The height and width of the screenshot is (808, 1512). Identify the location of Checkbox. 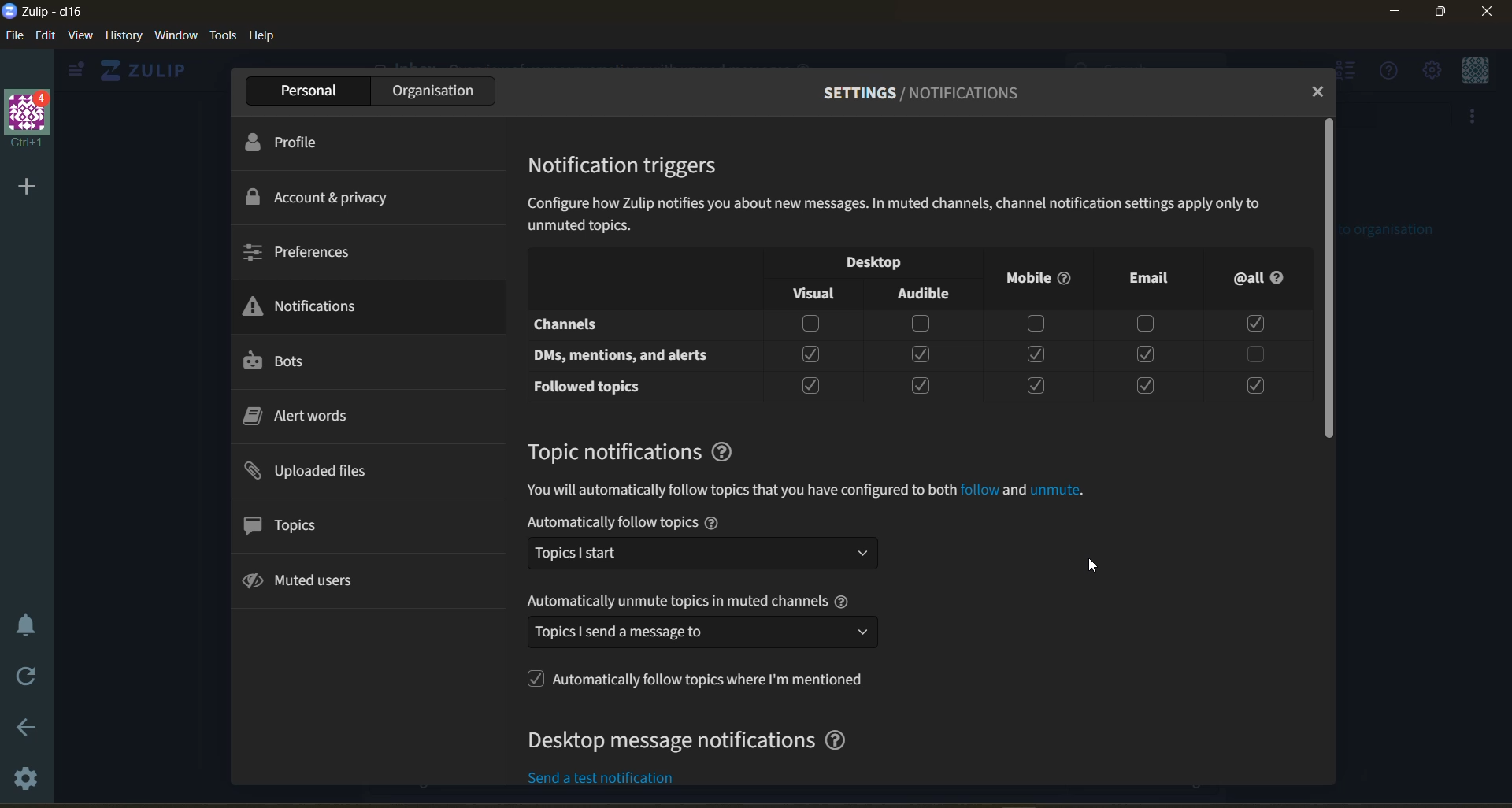
(925, 385).